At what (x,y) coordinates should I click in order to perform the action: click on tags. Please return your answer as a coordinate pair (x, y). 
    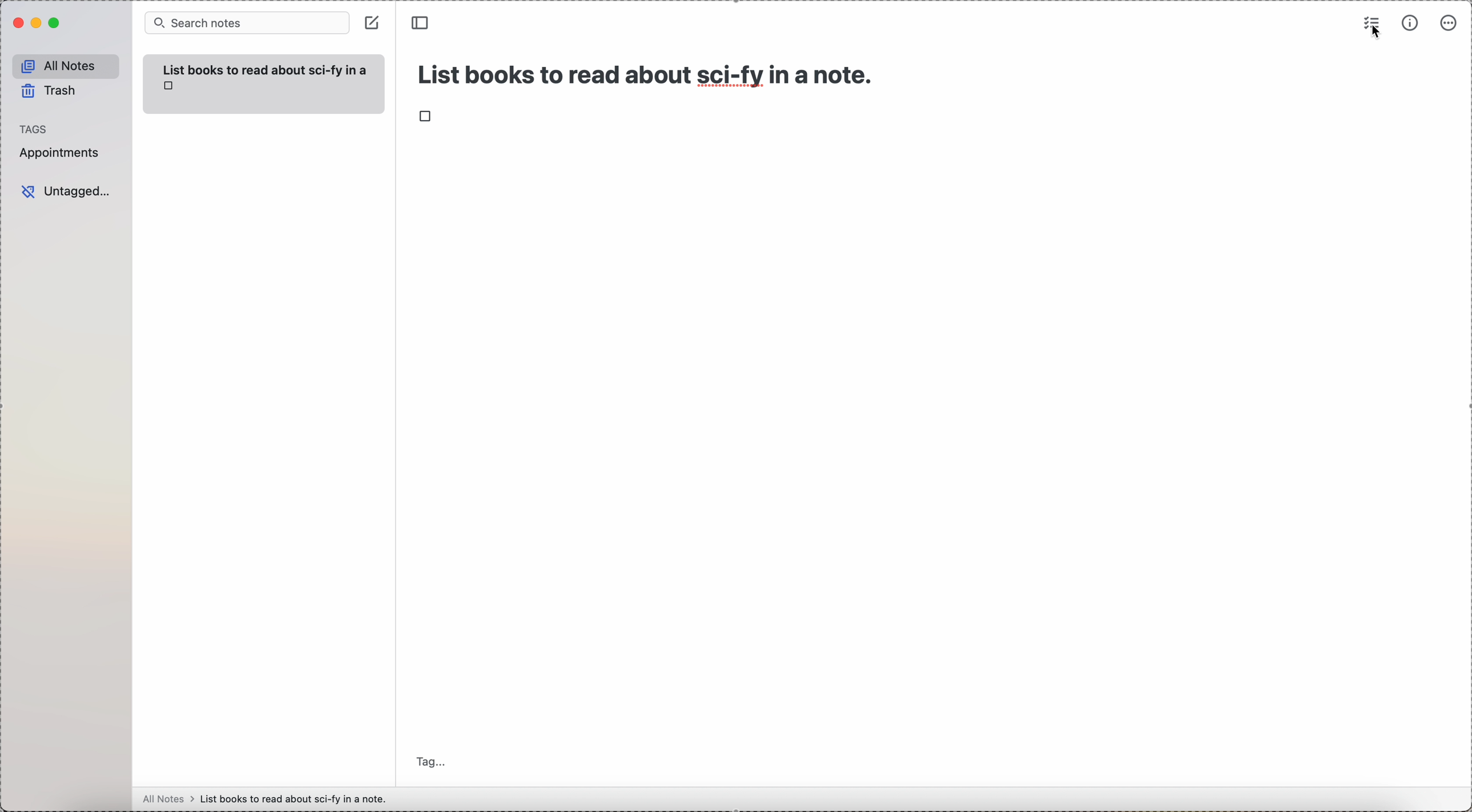
    Looking at the image, I should click on (35, 127).